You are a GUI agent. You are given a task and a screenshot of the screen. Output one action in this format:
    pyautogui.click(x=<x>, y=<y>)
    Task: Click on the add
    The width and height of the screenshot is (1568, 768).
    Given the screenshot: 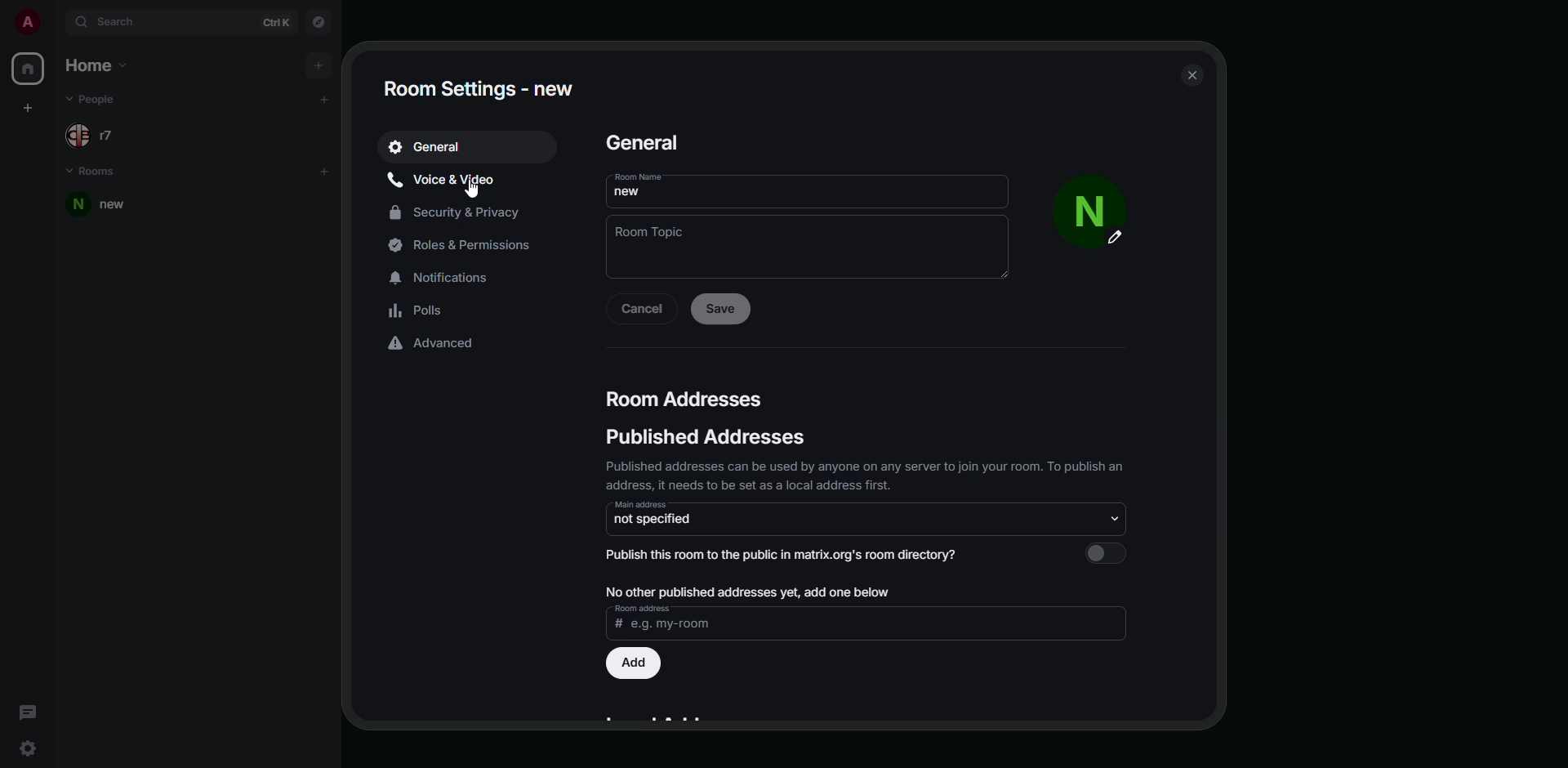 What is the action you would take?
    pyautogui.click(x=324, y=98)
    